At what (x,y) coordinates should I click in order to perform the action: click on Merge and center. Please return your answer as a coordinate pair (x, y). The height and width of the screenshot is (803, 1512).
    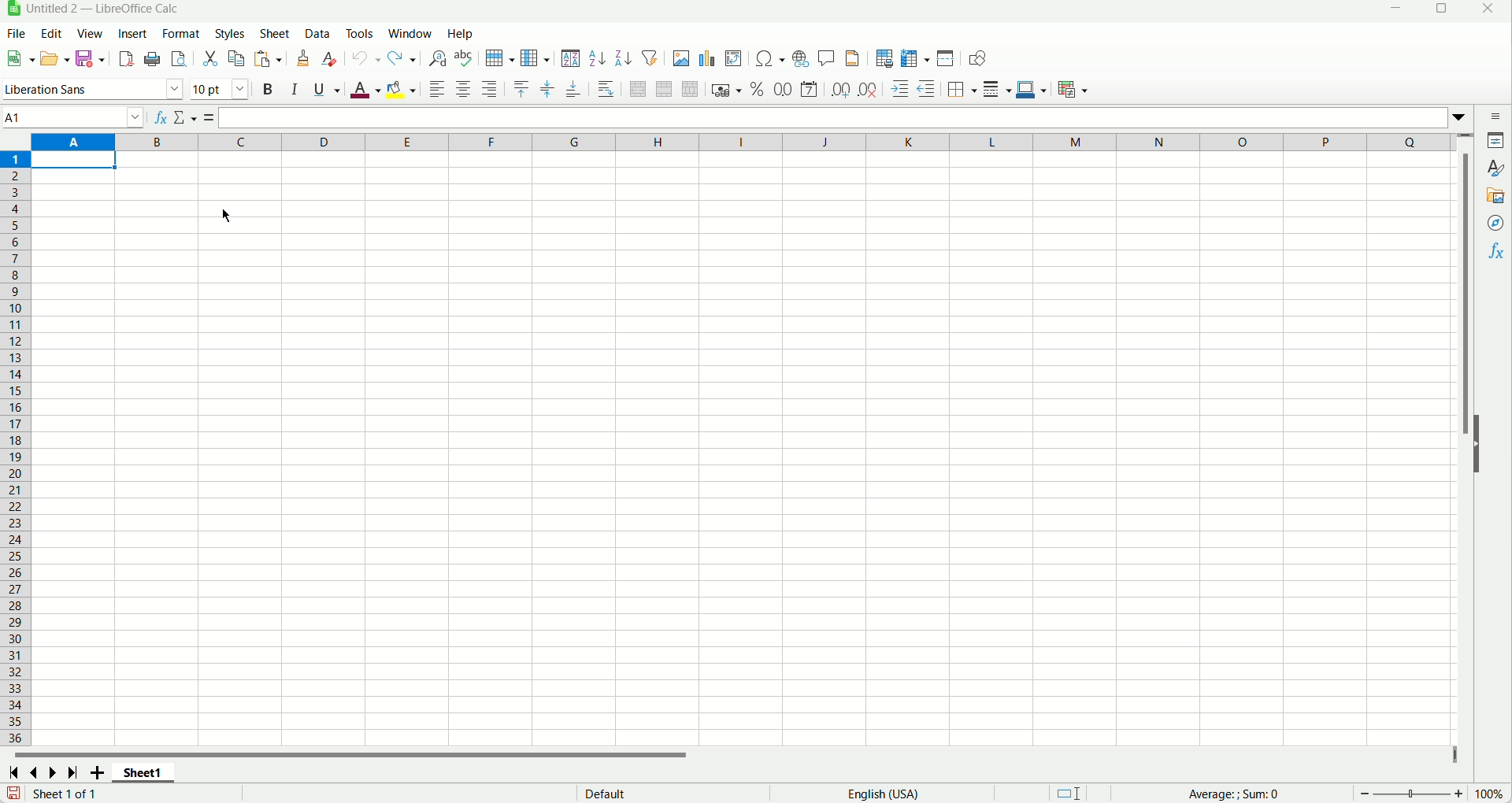
    Looking at the image, I should click on (638, 89).